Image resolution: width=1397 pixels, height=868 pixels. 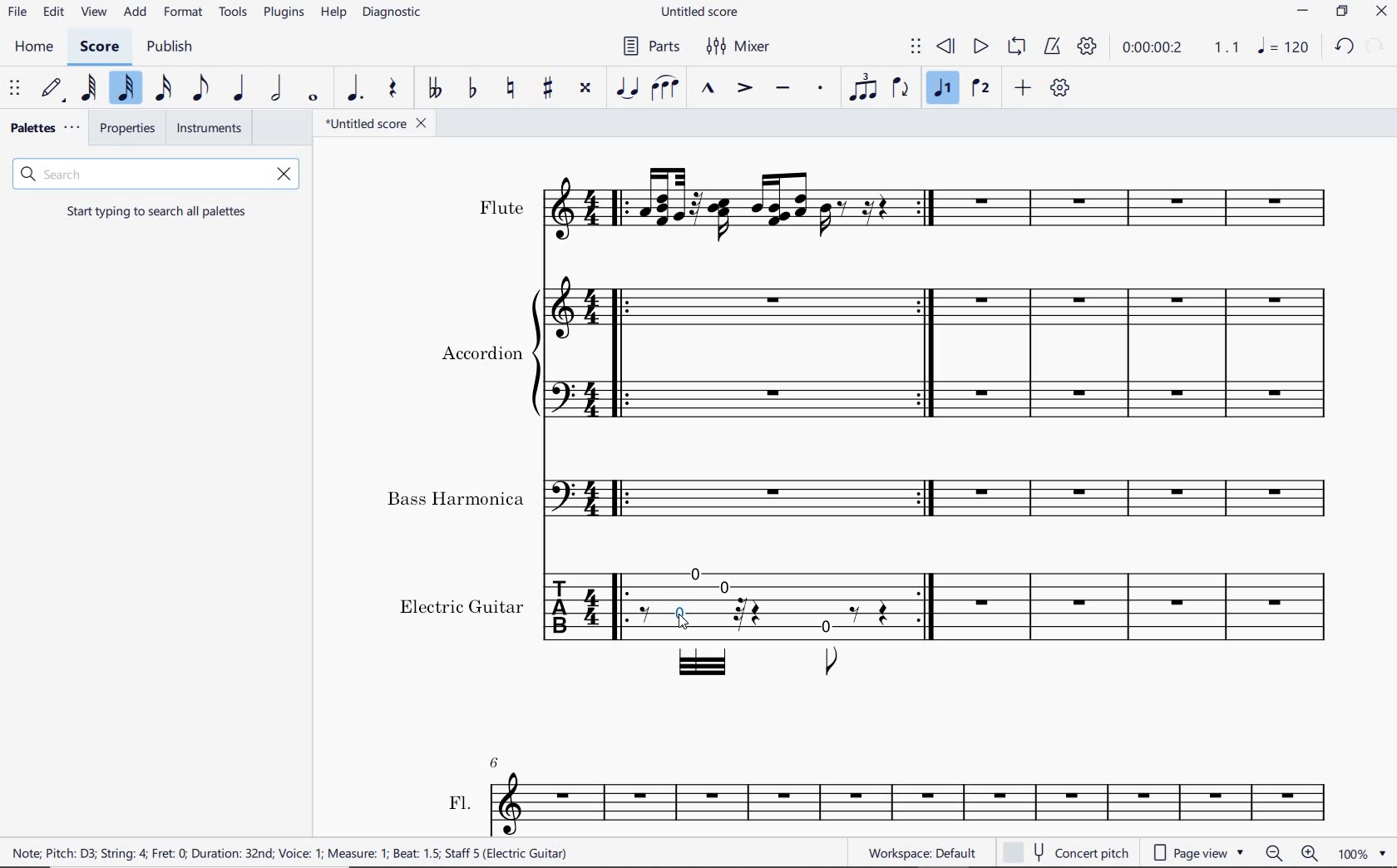 I want to click on augmentation dot, so click(x=355, y=89).